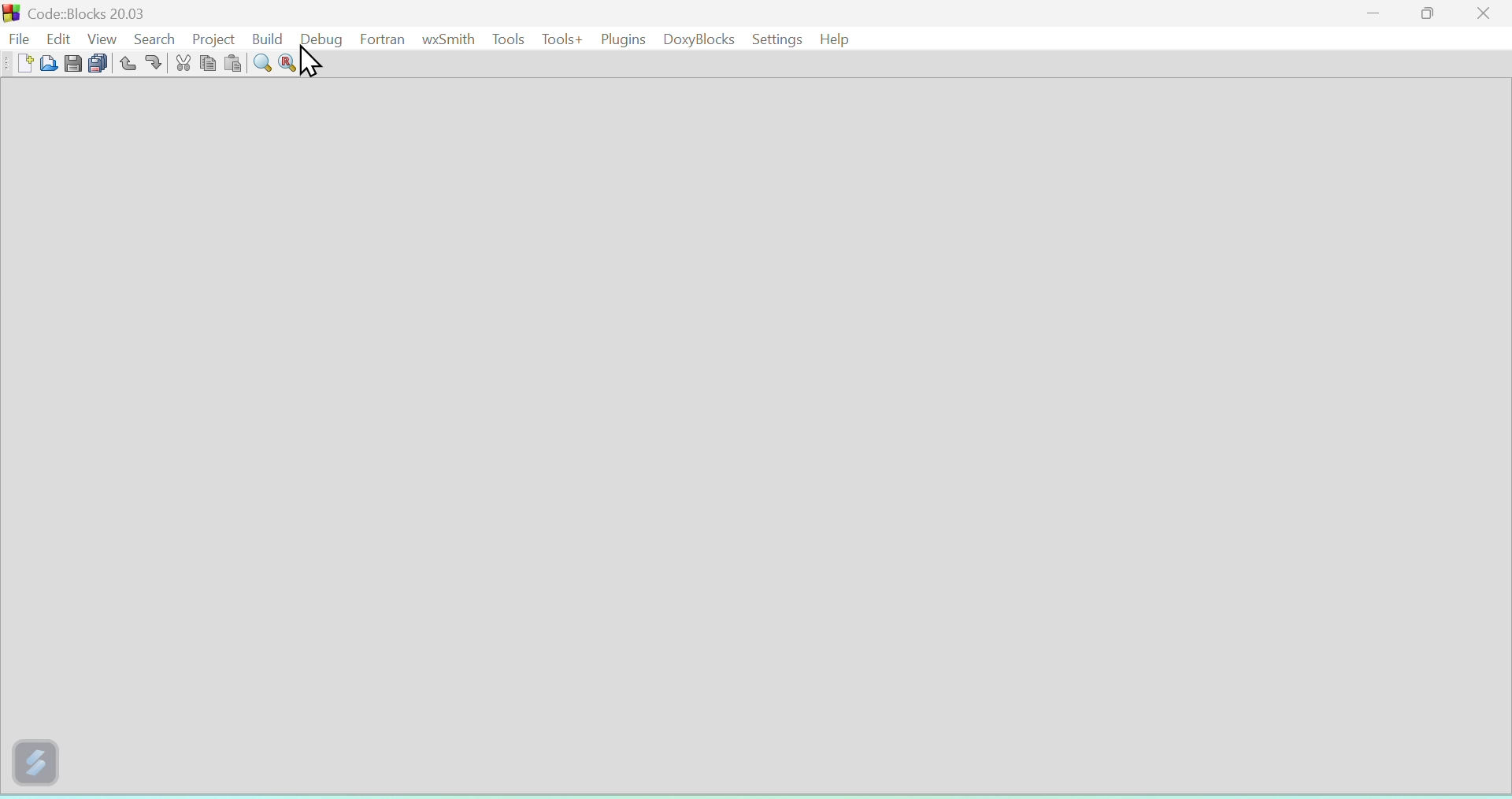  Describe the element at coordinates (19, 36) in the screenshot. I see `file` at that location.